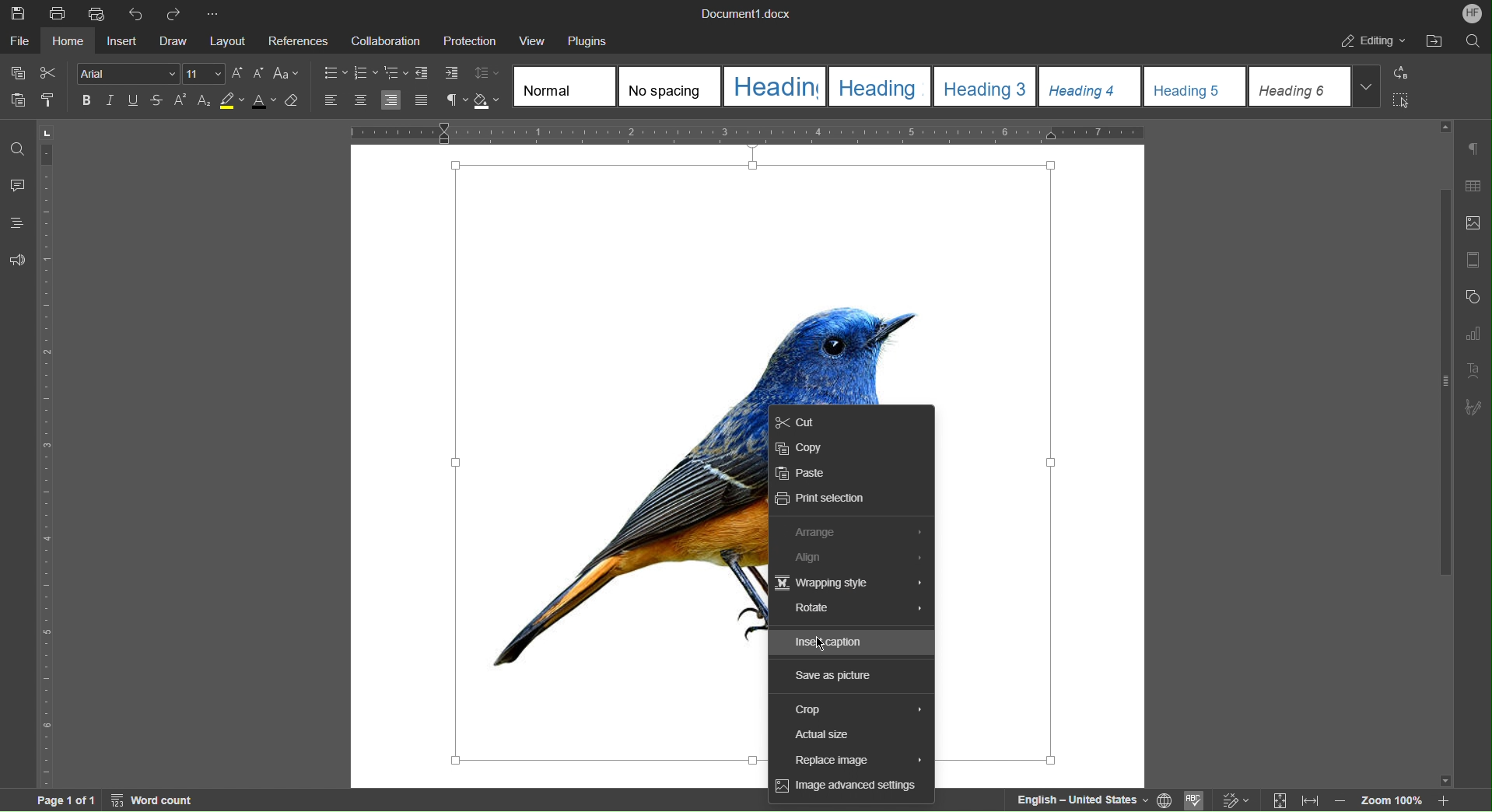 This screenshot has height=812, width=1492. Describe the element at coordinates (801, 447) in the screenshot. I see `Copy` at that location.